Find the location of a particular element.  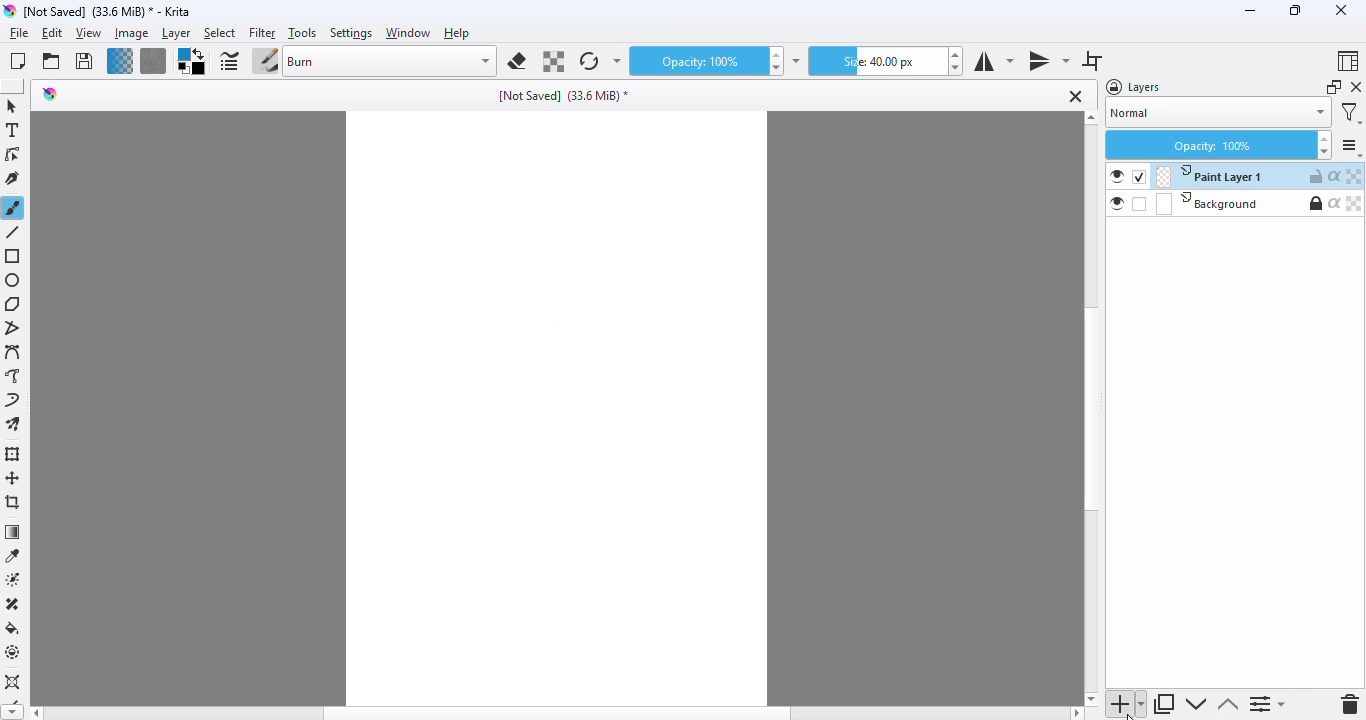

title is located at coordinates (565, 96).